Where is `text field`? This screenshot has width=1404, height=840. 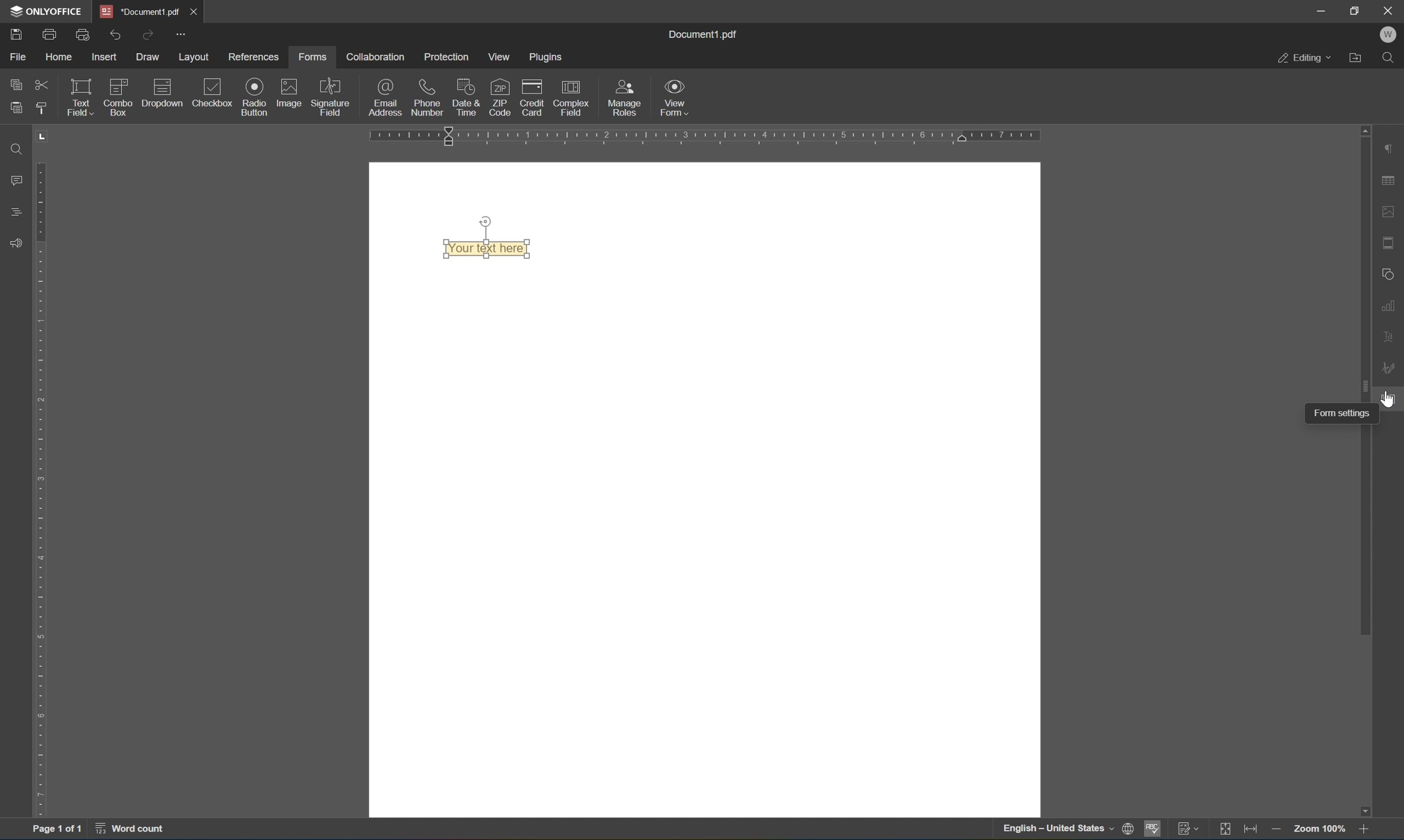 text field is located at coordinates (79, 96).